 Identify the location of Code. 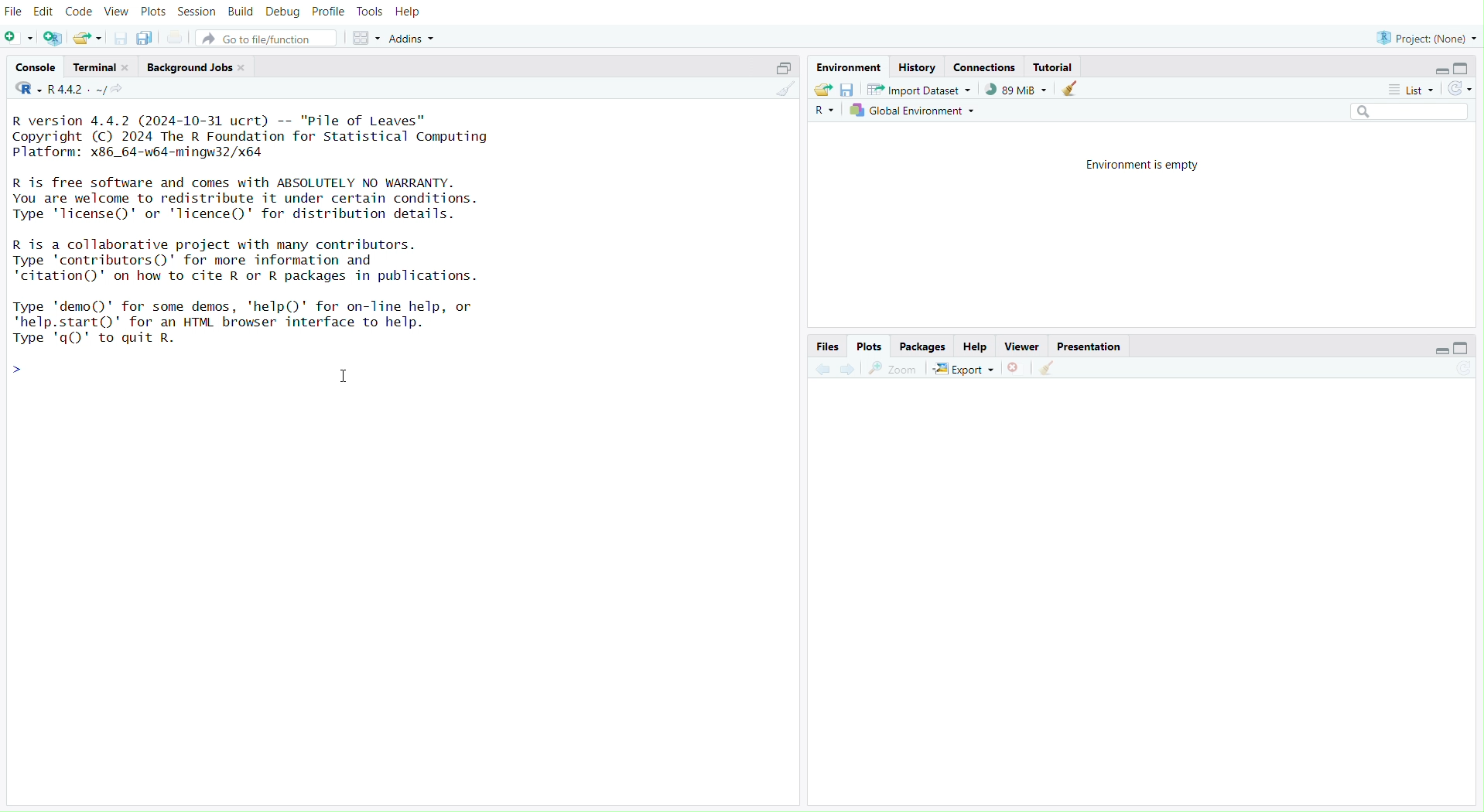
(77, 11).